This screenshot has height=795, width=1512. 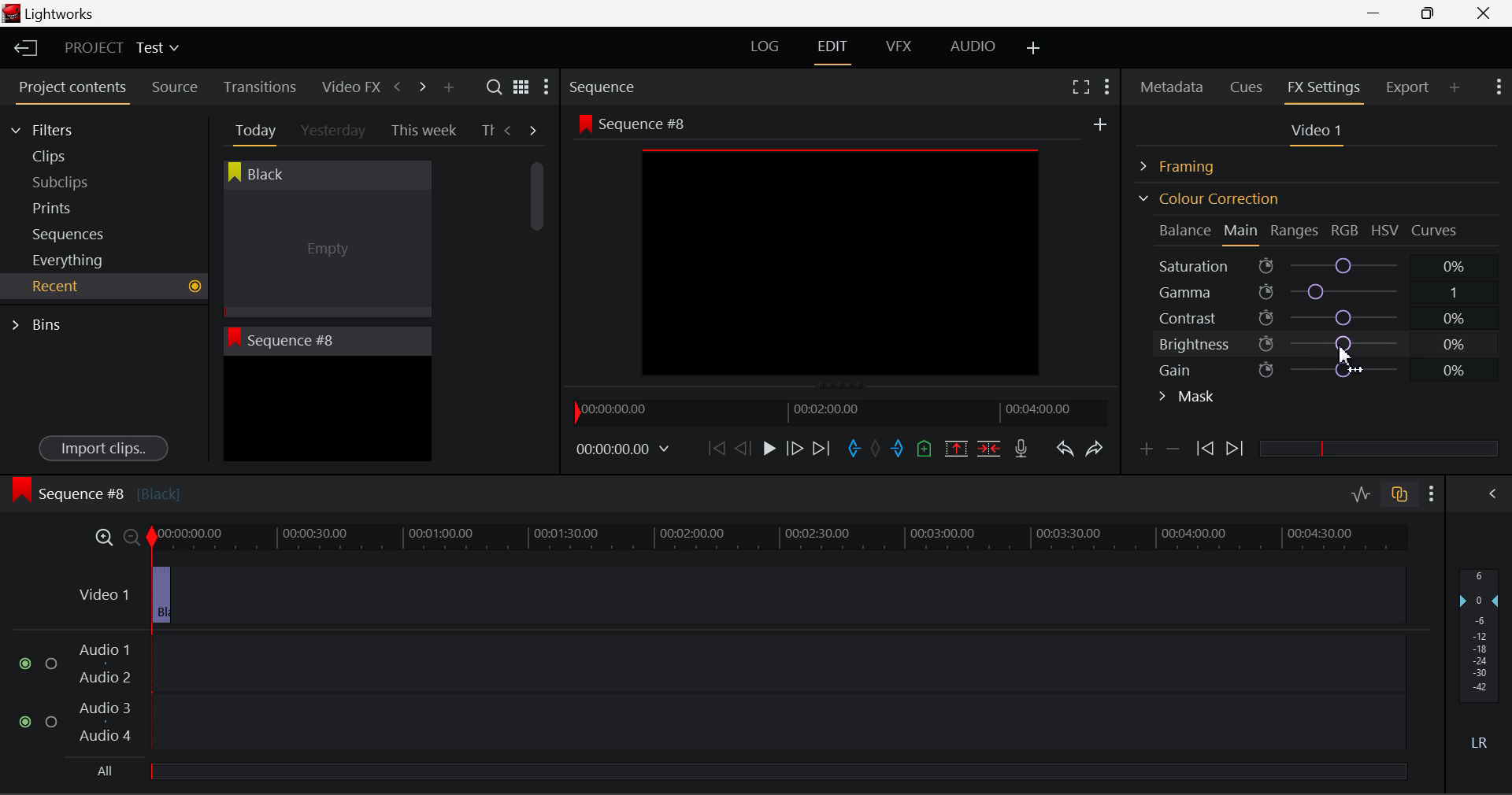 What do you see at coordinates (327, 412) in the screenshot?
I see `Recent Clip` at bounding box center [327, 412].